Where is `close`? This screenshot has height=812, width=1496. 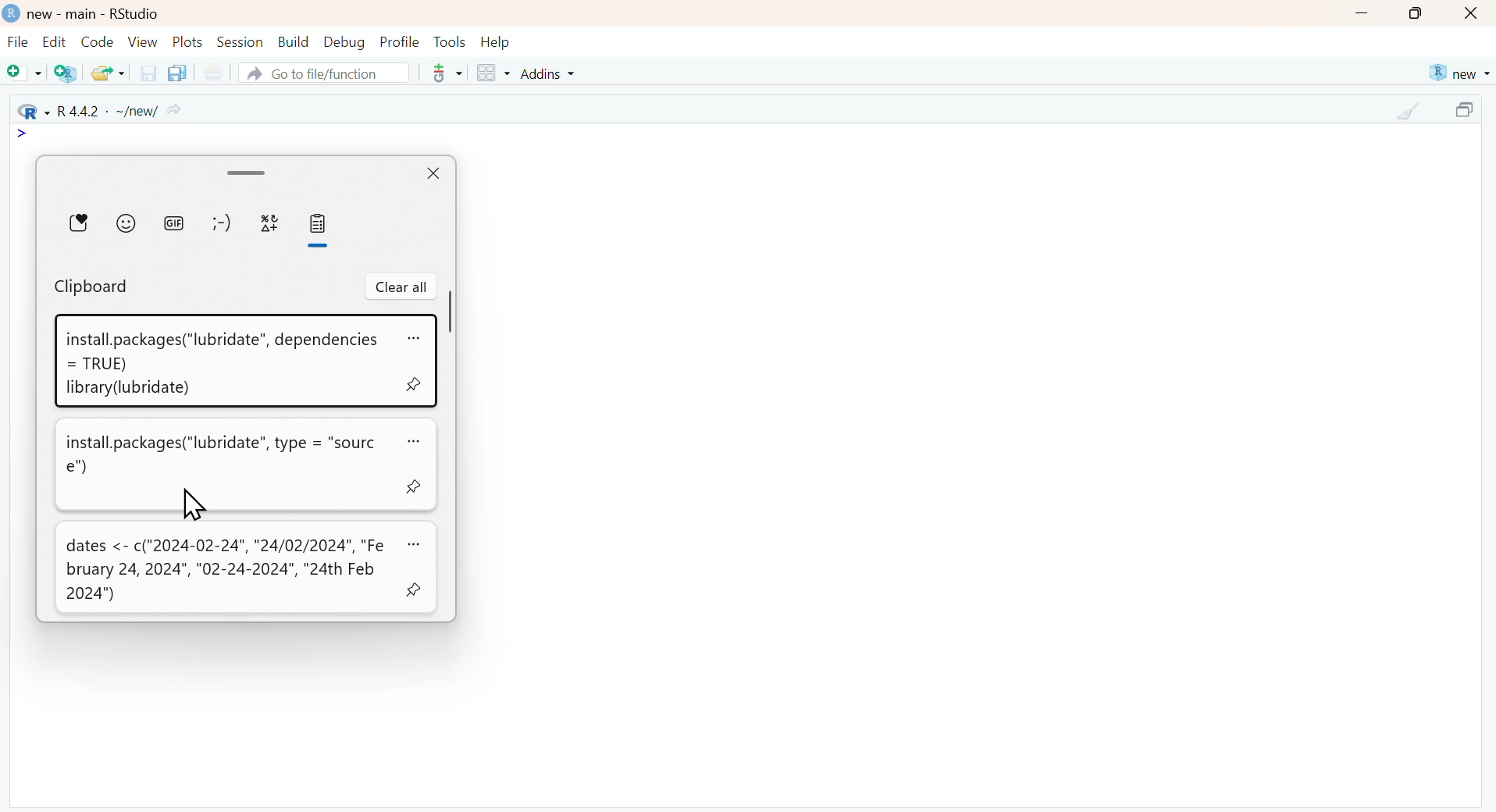
close is located at coordinates (1473, 14).